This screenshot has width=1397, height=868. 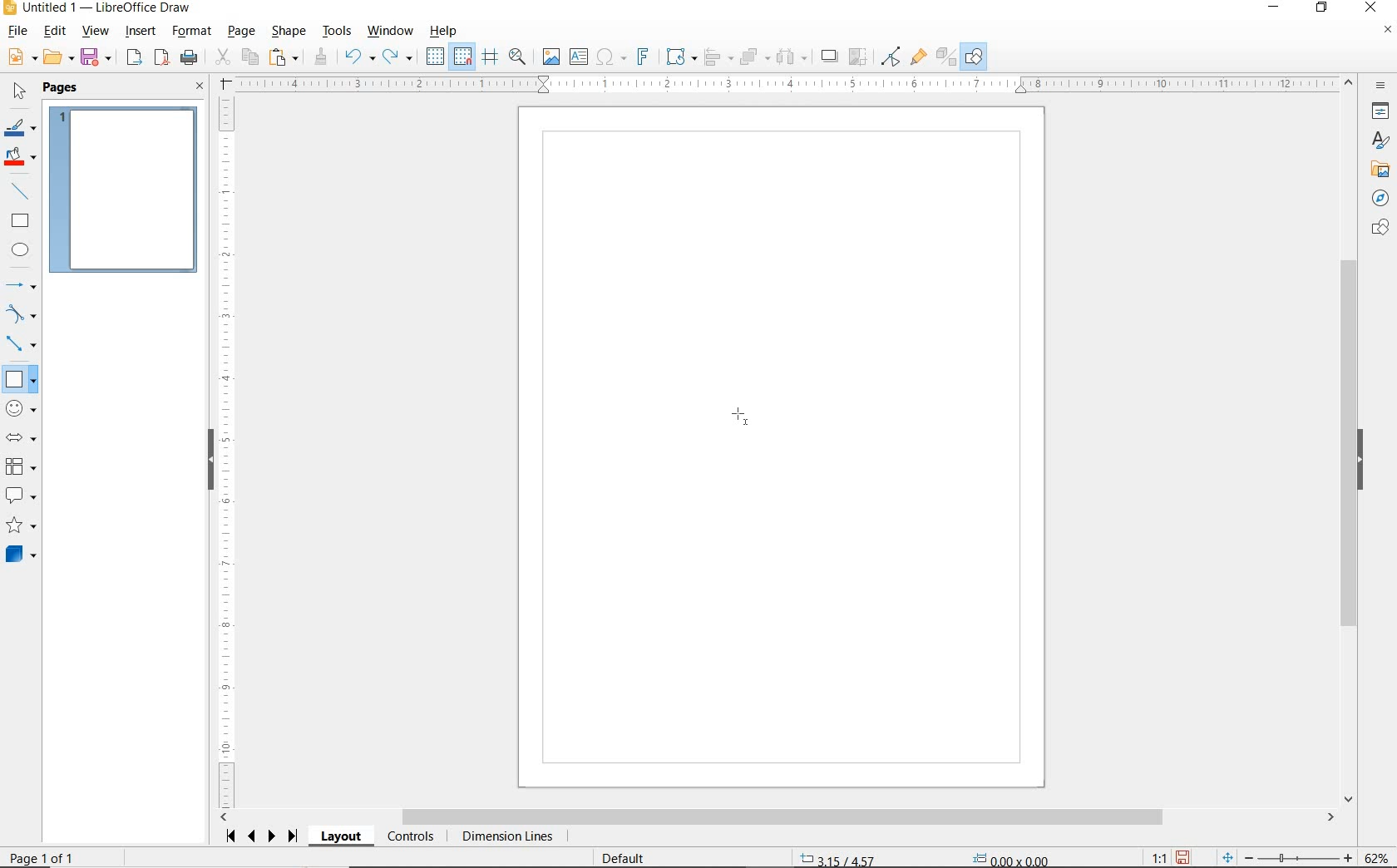 What do you see at coordinates (20, 378) in the screenshot?
I see `BASIC SHAPES` at bounding box center [20, 378].